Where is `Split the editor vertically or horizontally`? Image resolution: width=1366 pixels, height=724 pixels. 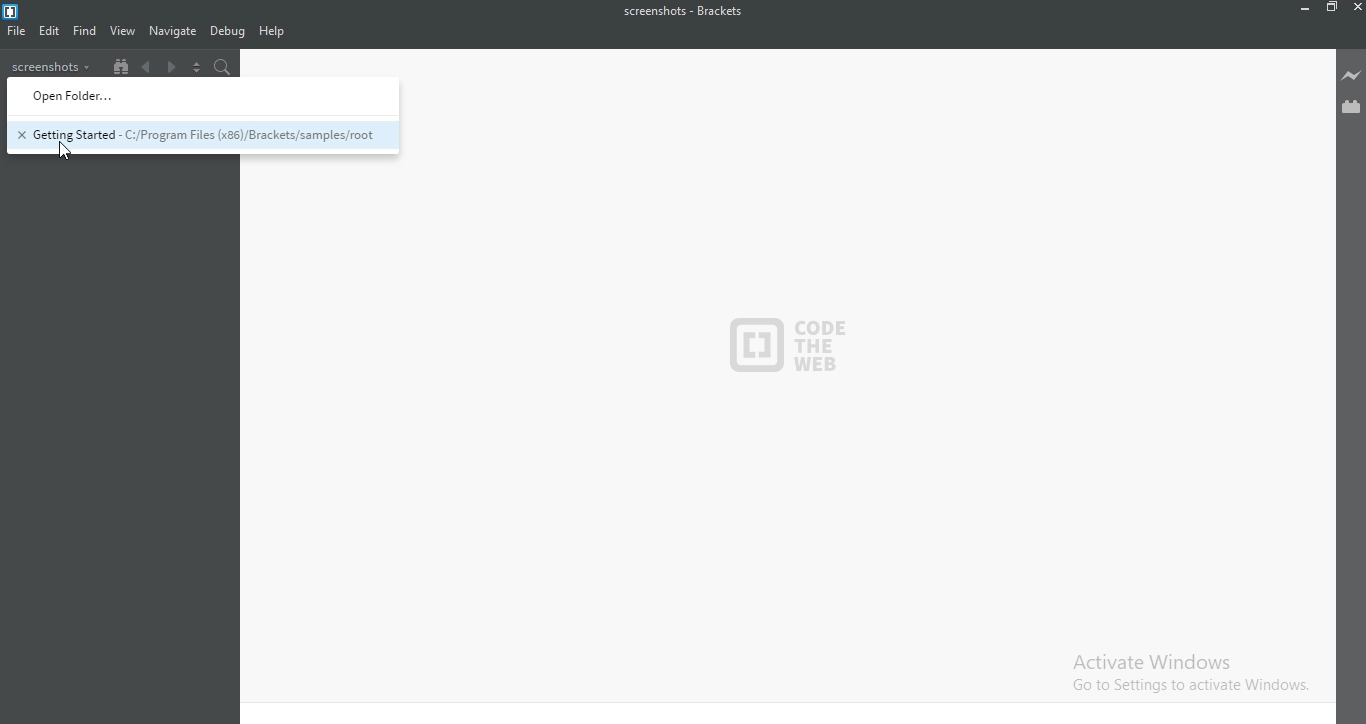 Split the editor vertically or horizontally is located at coordinates (198, 65).